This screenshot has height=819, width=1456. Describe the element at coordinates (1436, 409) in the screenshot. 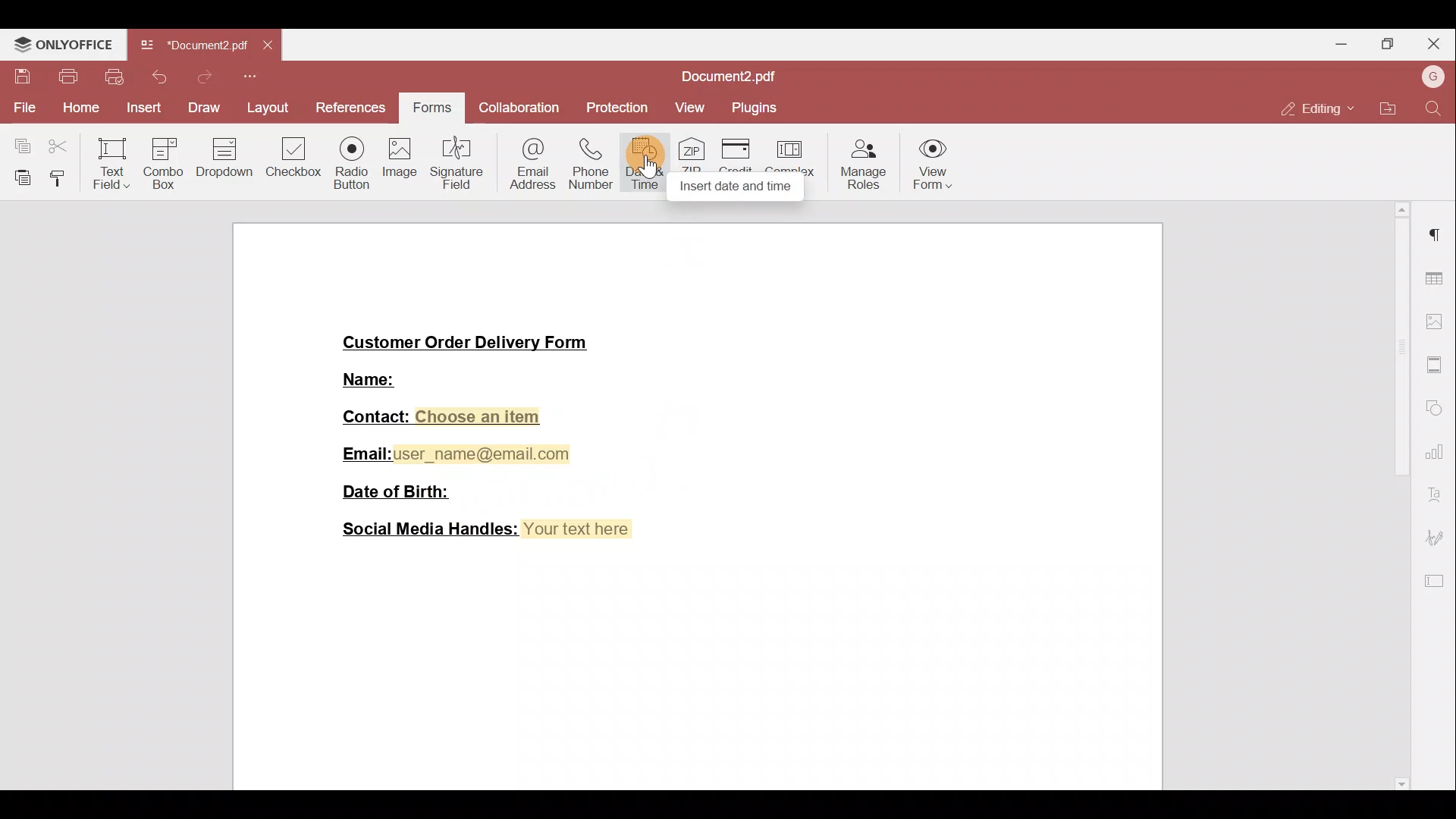

I see `Shapes settings` at that location.